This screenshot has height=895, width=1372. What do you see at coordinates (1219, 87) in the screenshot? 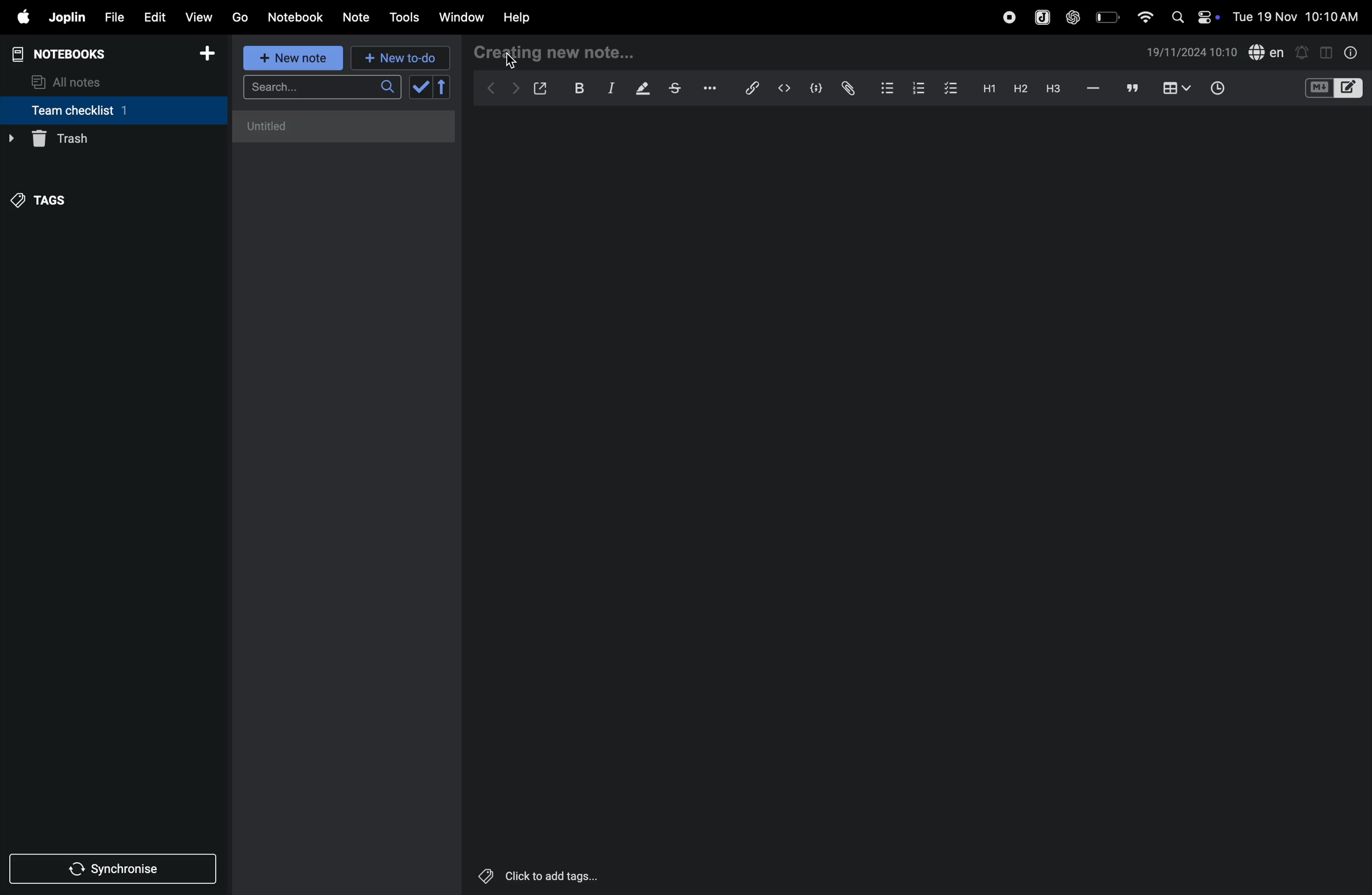
I see `time` at bounding box center [1219, 87].